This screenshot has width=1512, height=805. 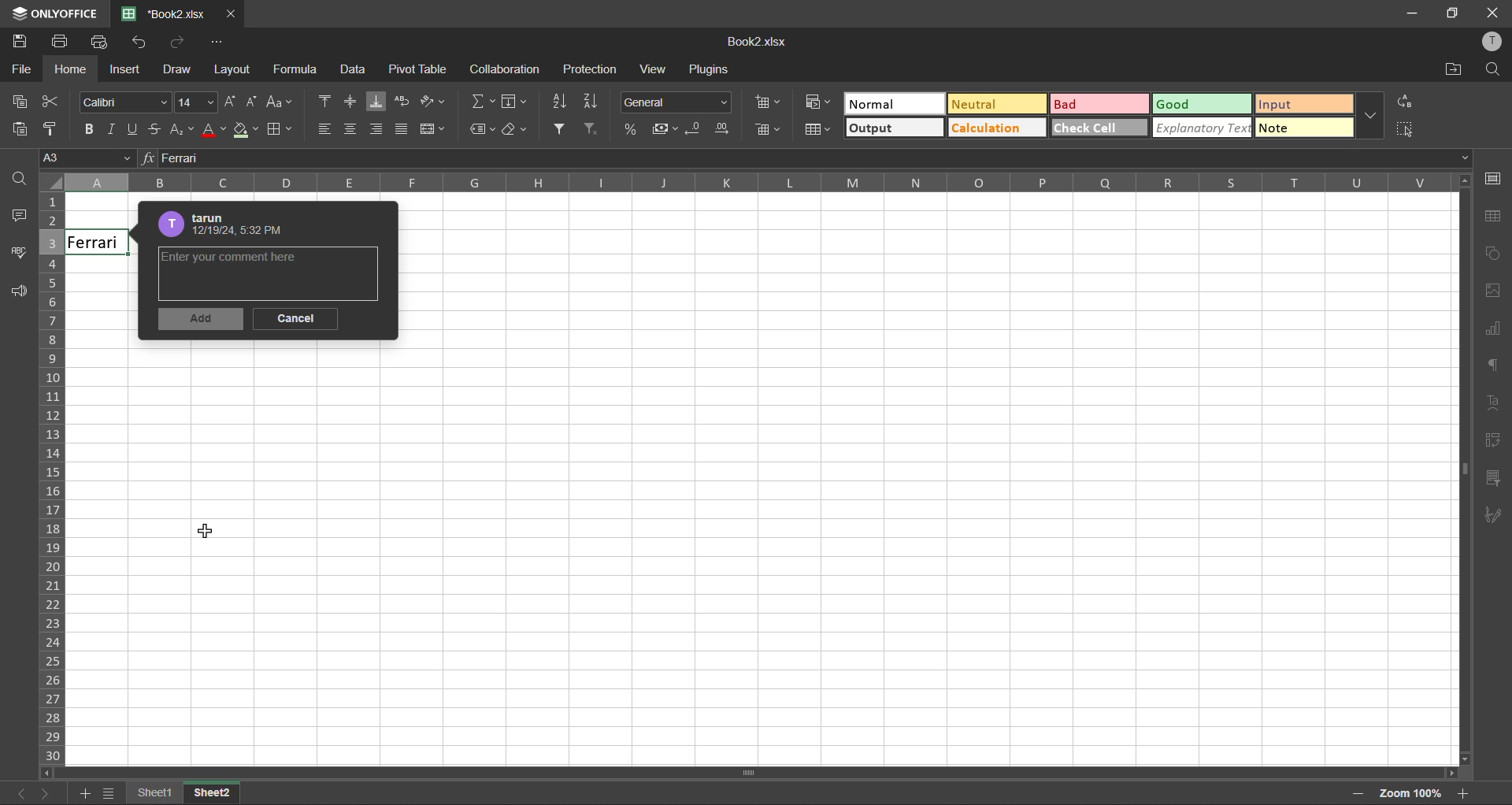 I want to click on comment input box, so click(x=273, y=272).